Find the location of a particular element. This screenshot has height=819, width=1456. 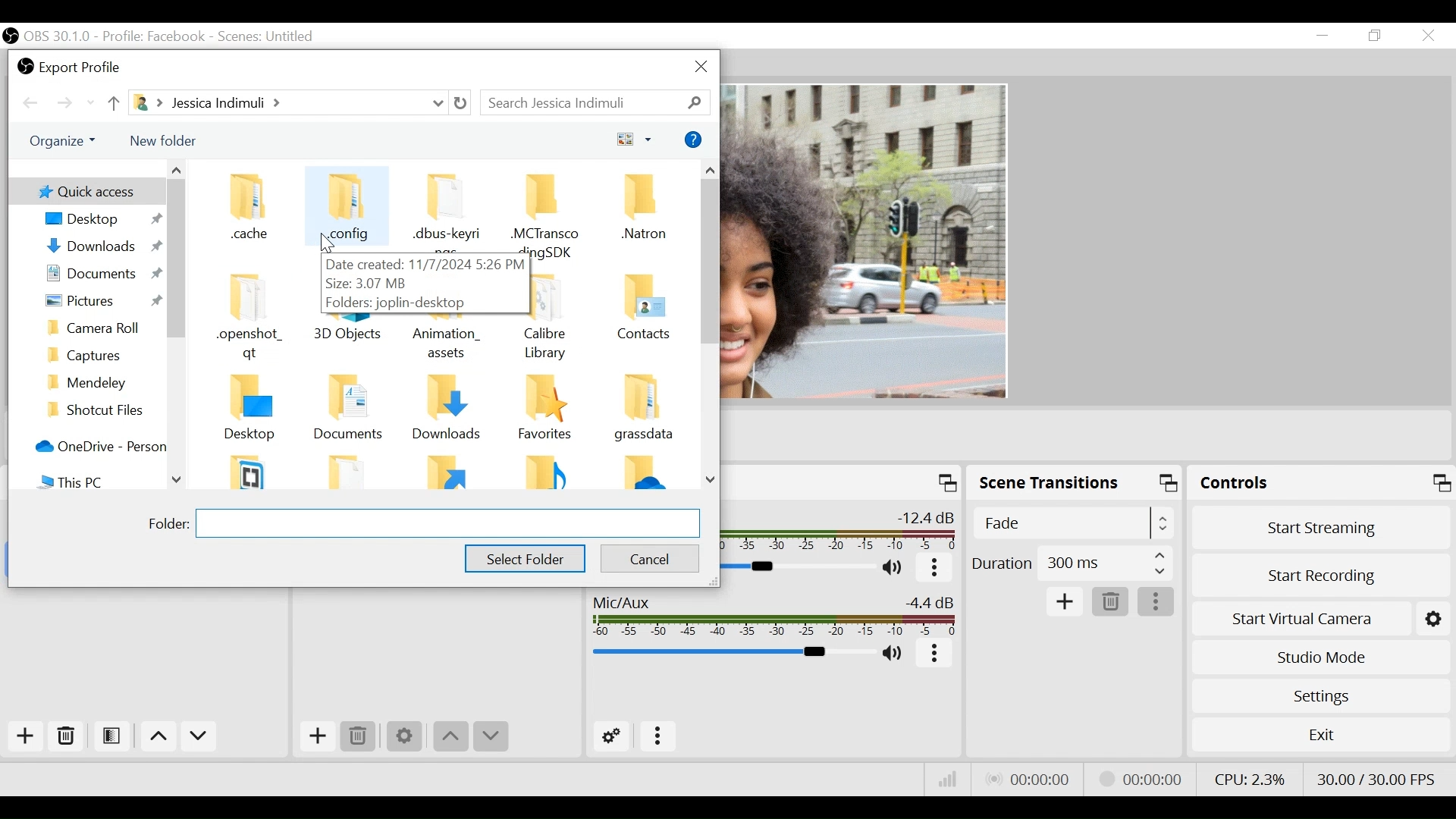

Open Filter Source is located at coordinates (115, 736).